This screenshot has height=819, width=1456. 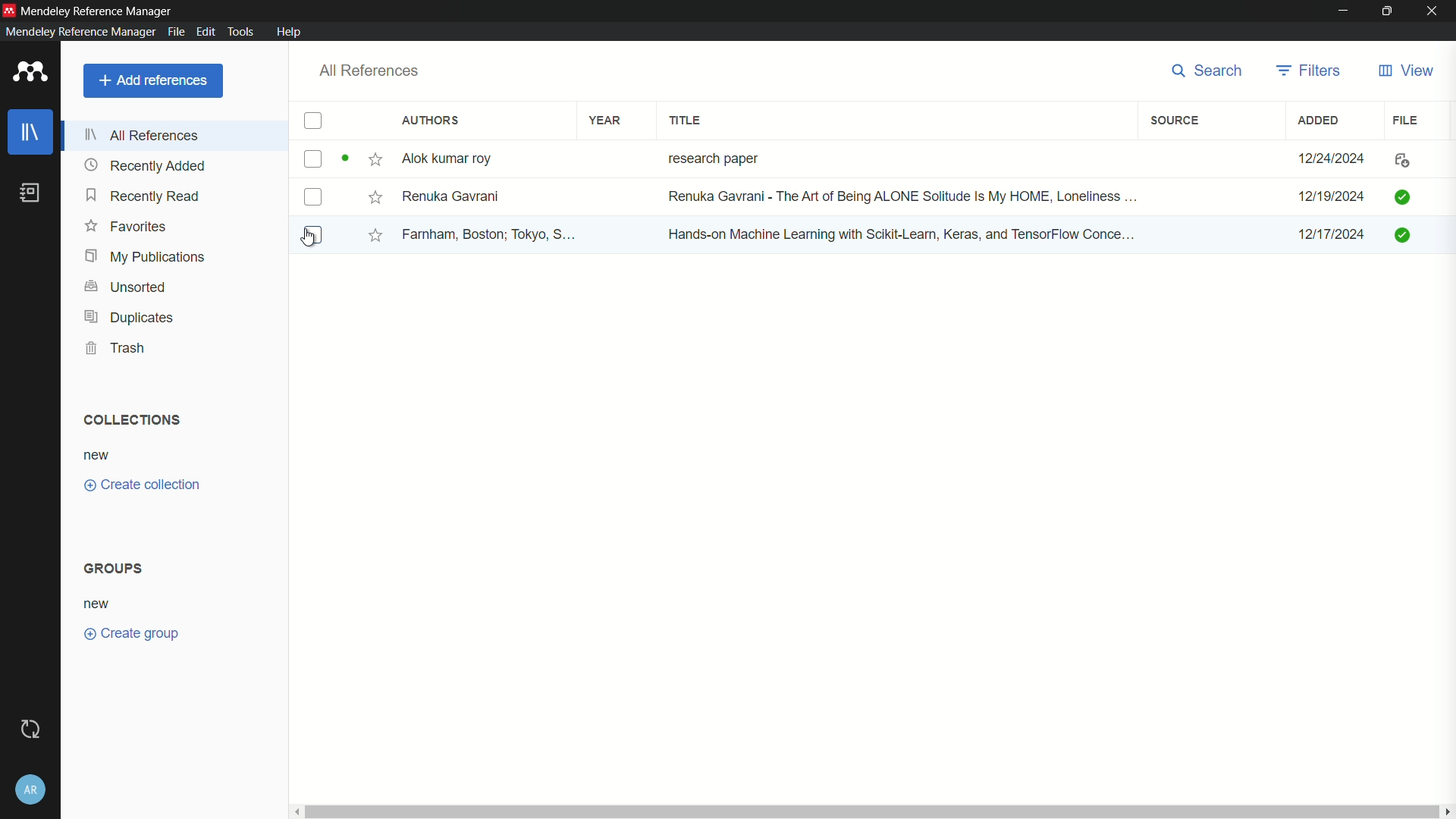 I want to click on checkbox, so click(x=313, y=198).